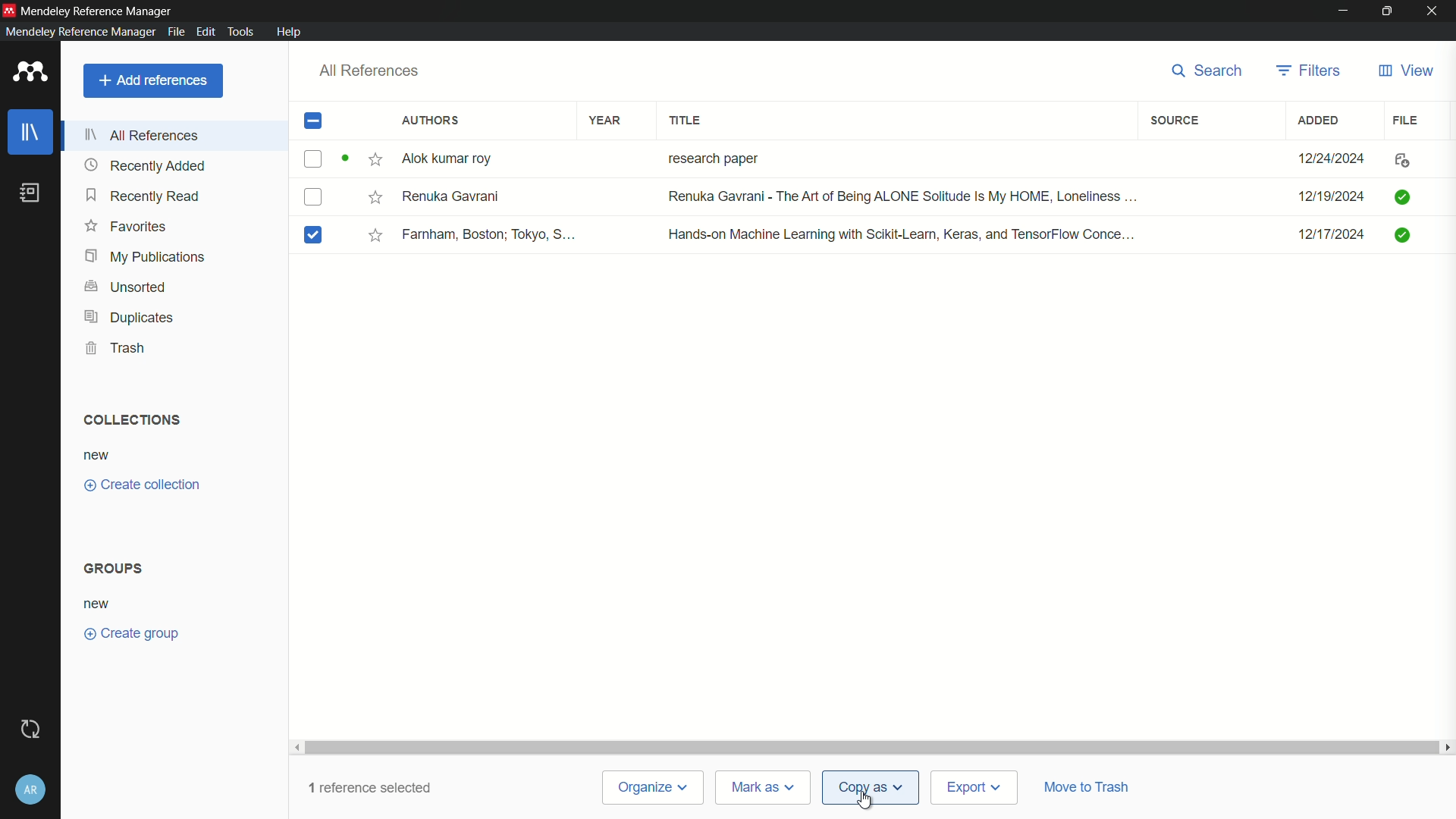  I want to click on close app, so click(1433, 10).